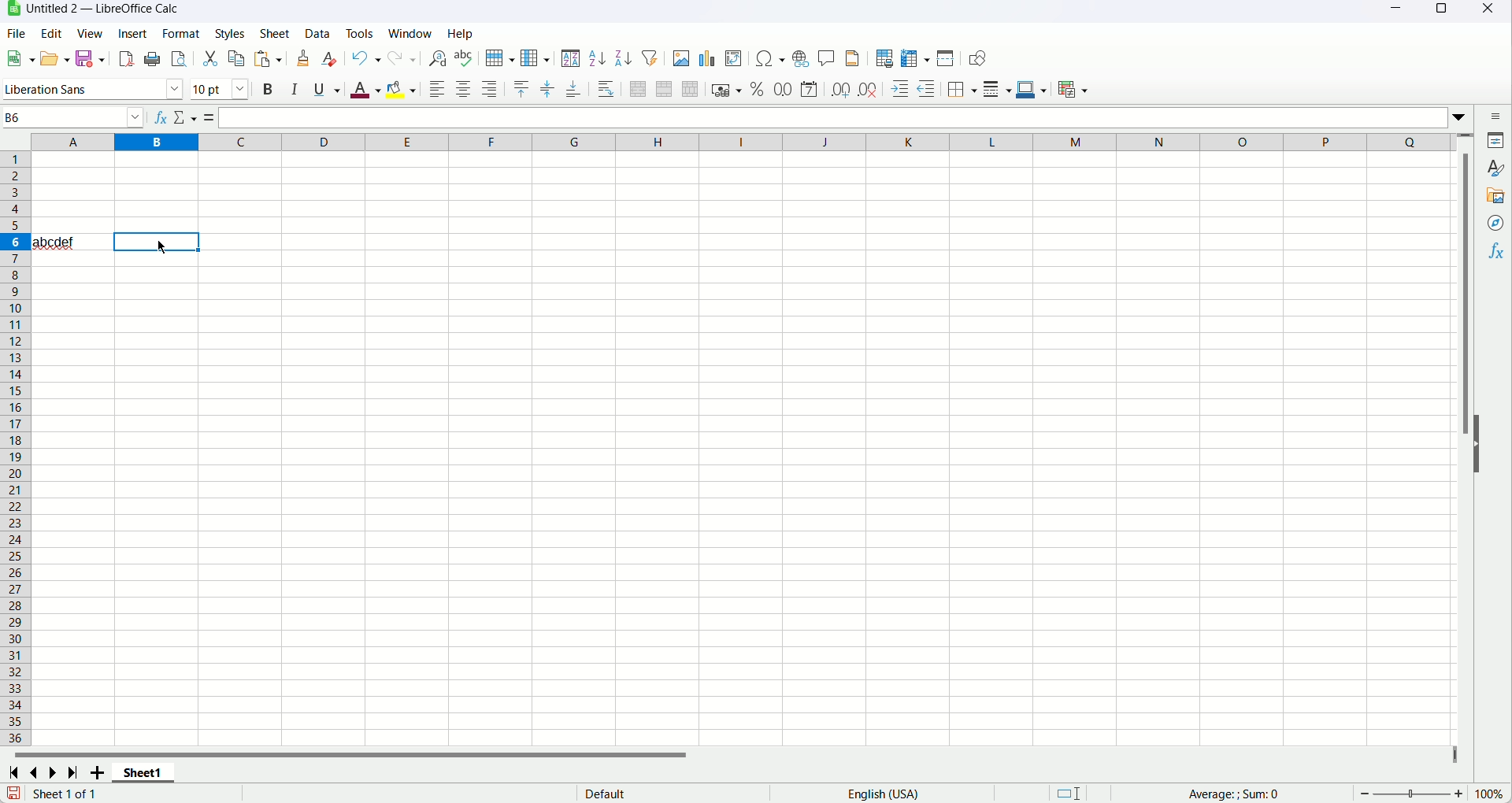  I want to click on add new sheet, so click(97, 772).